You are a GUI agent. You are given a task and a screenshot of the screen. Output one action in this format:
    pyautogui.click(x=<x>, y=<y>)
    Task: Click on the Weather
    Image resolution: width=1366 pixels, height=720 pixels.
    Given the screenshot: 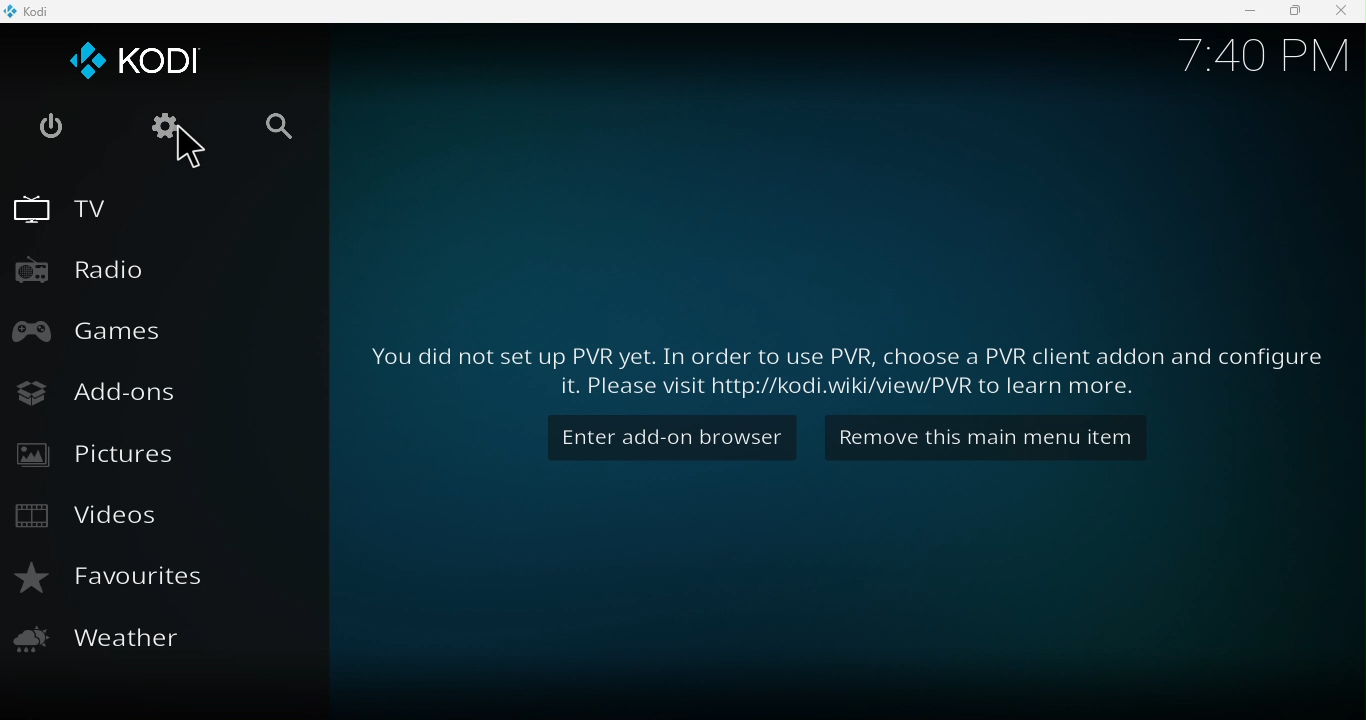 What is the action you would take?
    pyautogui.click(x=98, y=640)
    